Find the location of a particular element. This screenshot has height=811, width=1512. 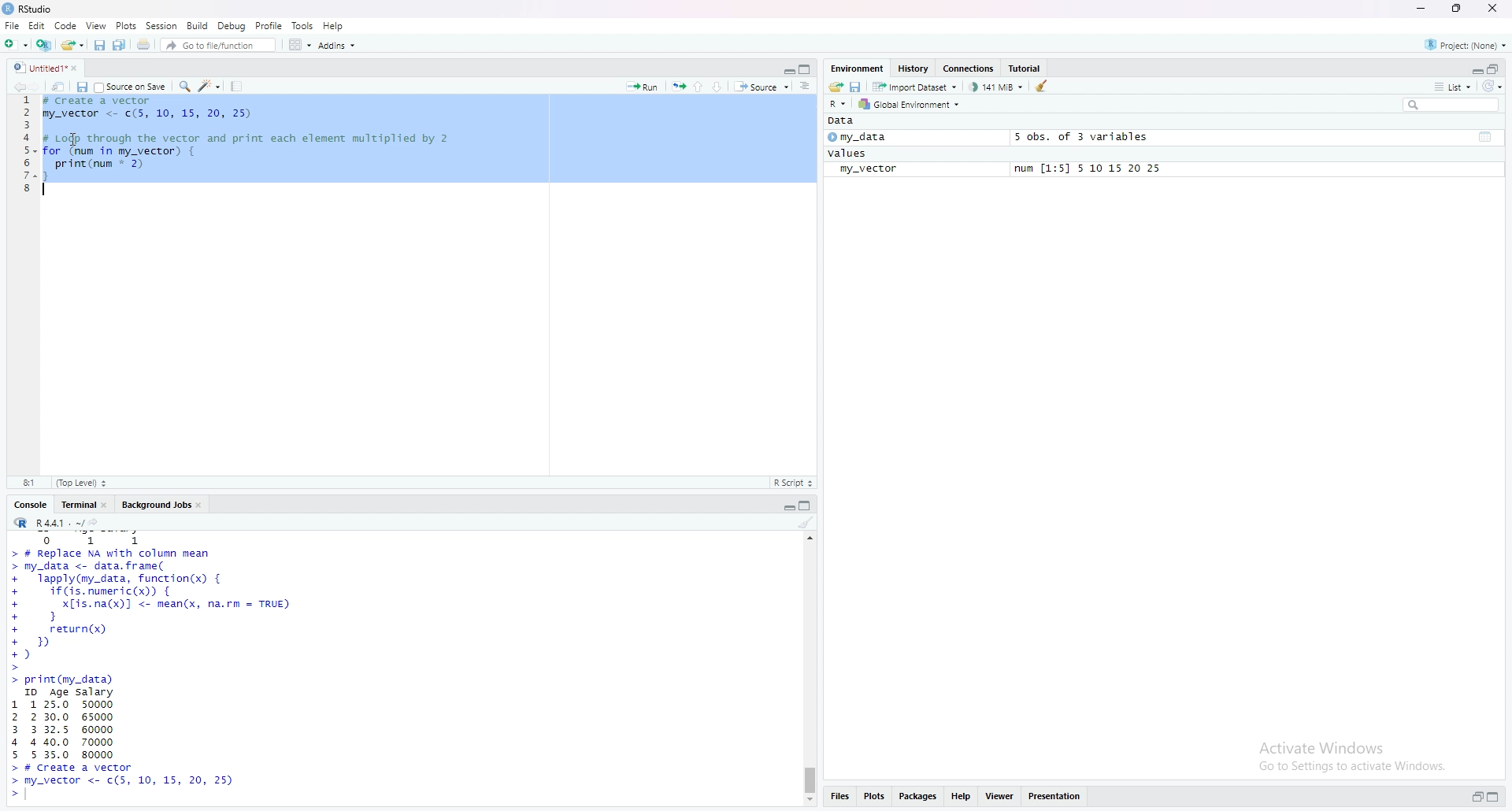

plots is located at coordinates (876, 796).